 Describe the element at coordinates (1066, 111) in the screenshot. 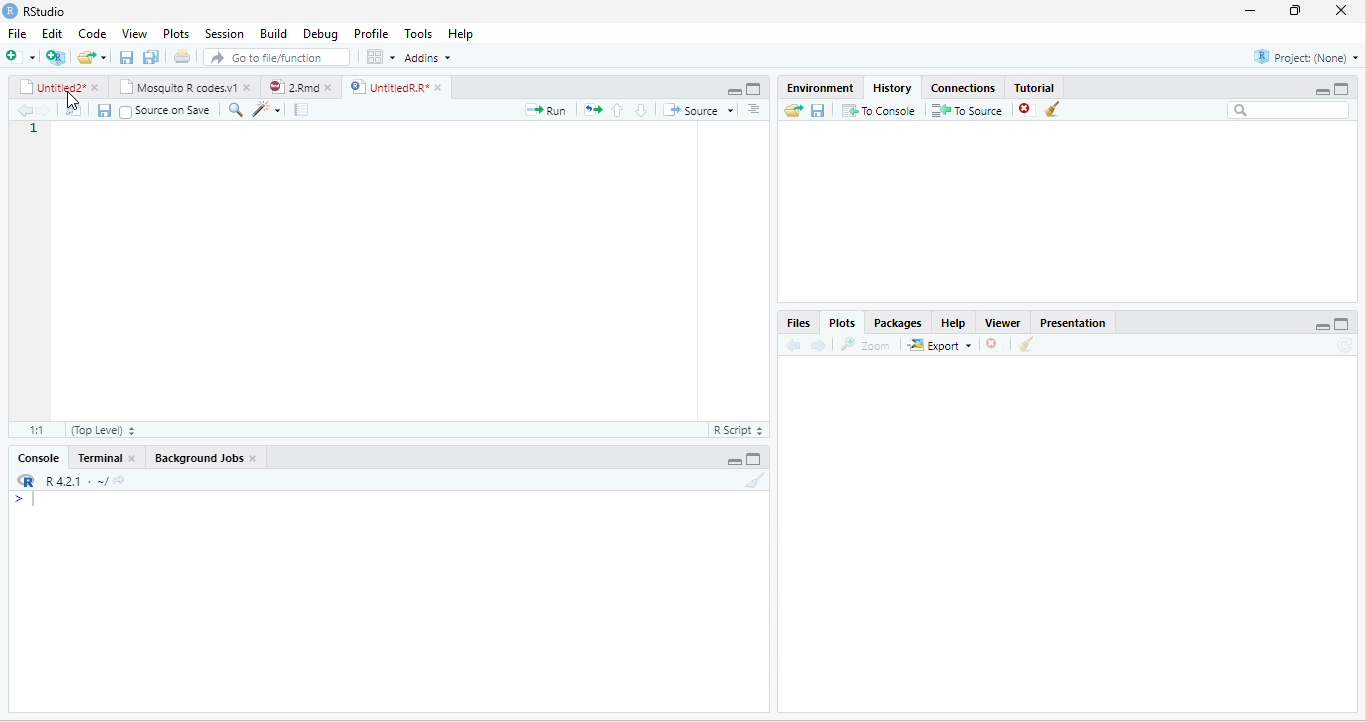

I see `clean` at that location.